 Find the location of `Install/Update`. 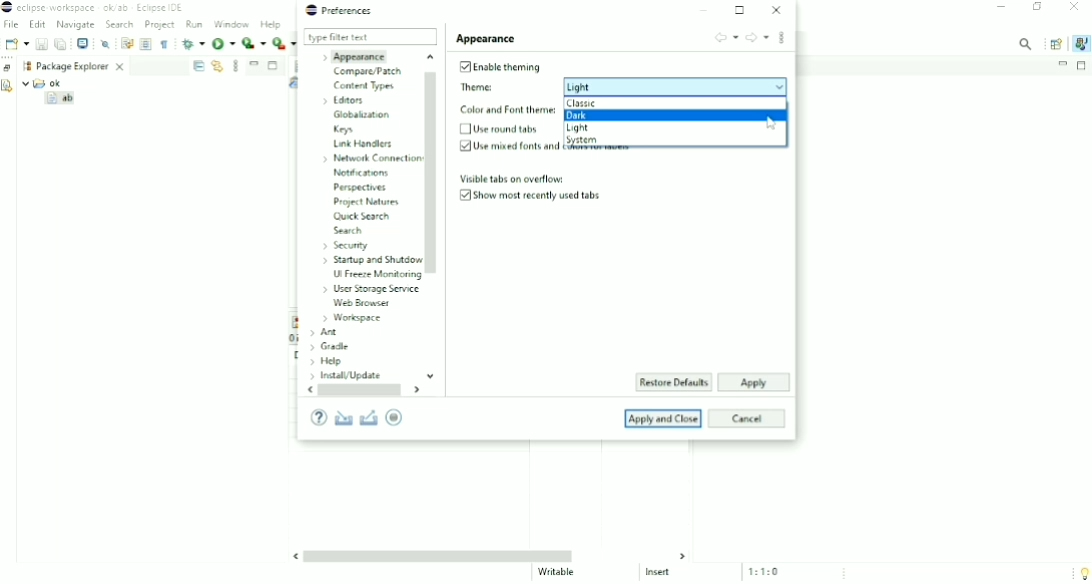

Install/Update is located at coordinates (344, 376).